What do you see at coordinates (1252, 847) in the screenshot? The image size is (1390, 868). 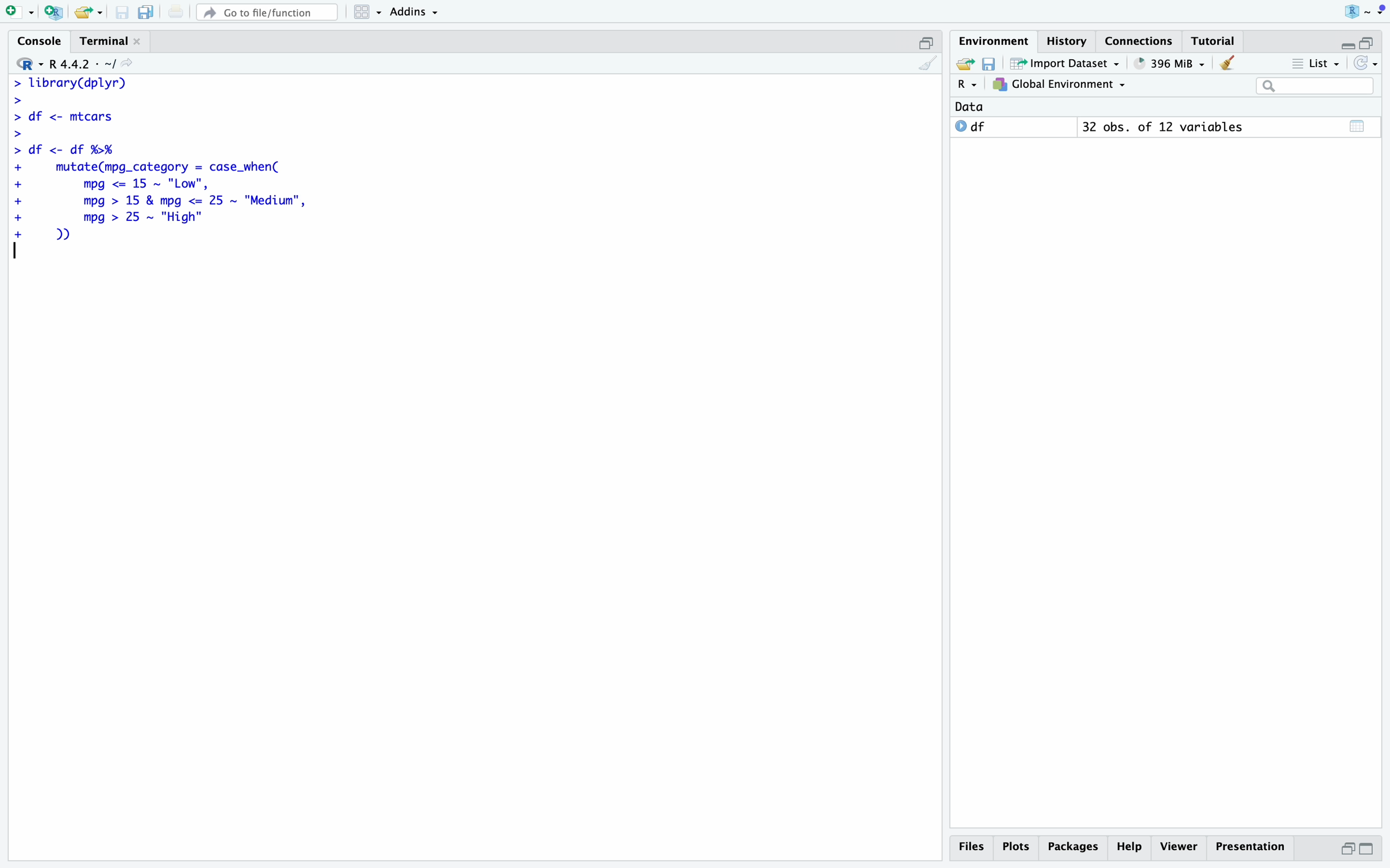 I see `Presentation ` at bounding box center [1252, 847].